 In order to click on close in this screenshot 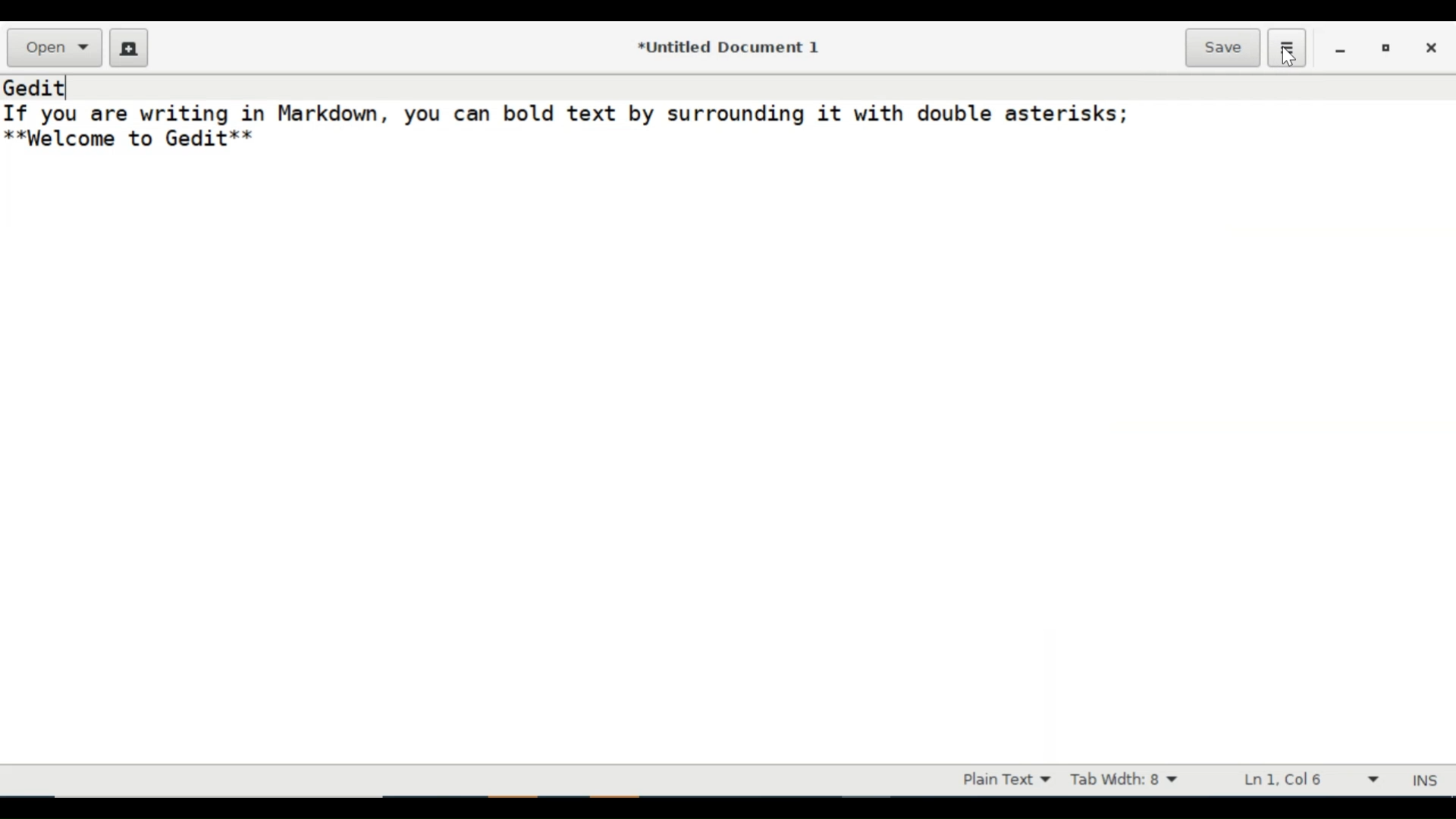, I will do `click(1431, 47)`.